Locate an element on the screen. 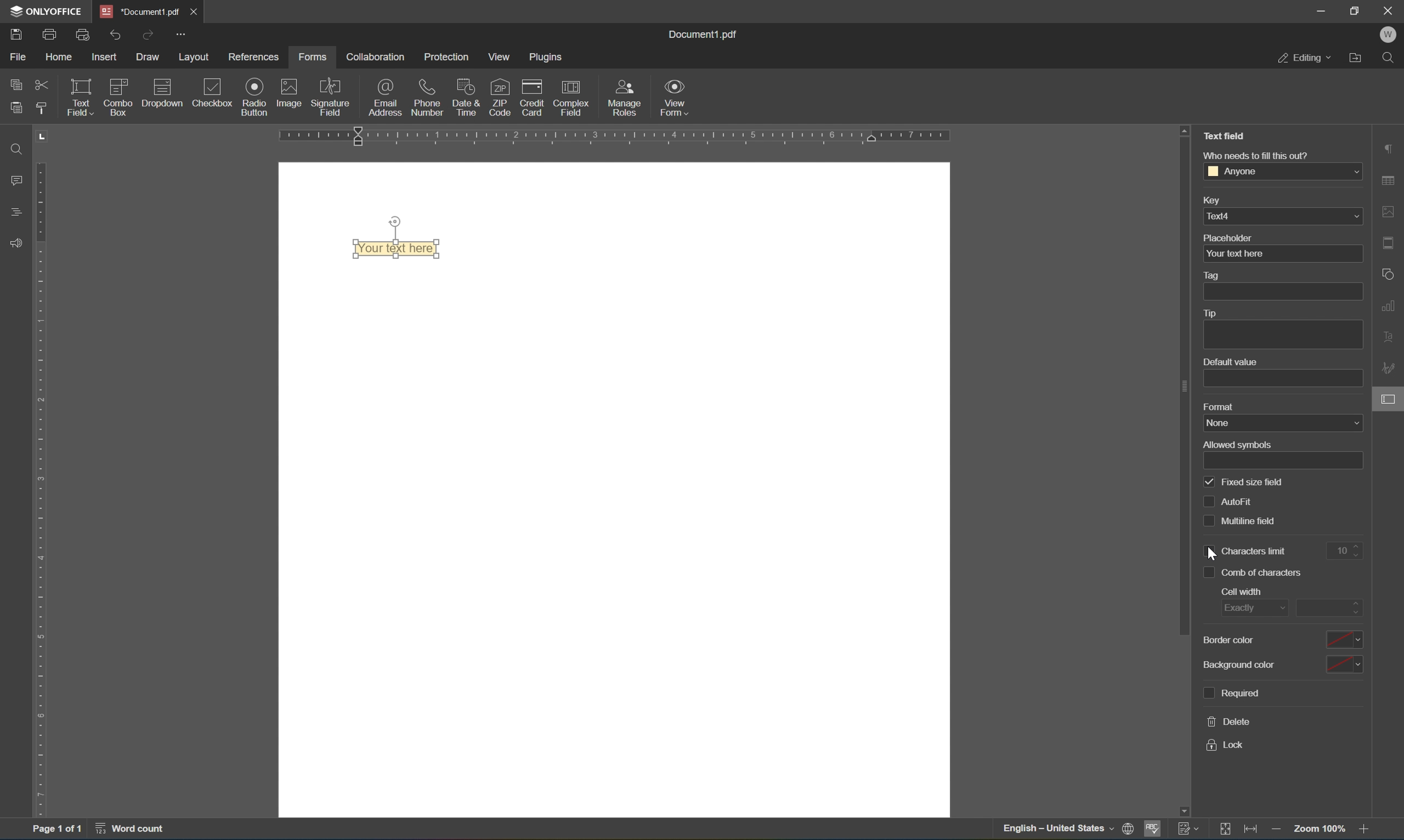 The width and height of the screenshot is (1404, 840). zoom 100% is located at coordinates (1319, 830).